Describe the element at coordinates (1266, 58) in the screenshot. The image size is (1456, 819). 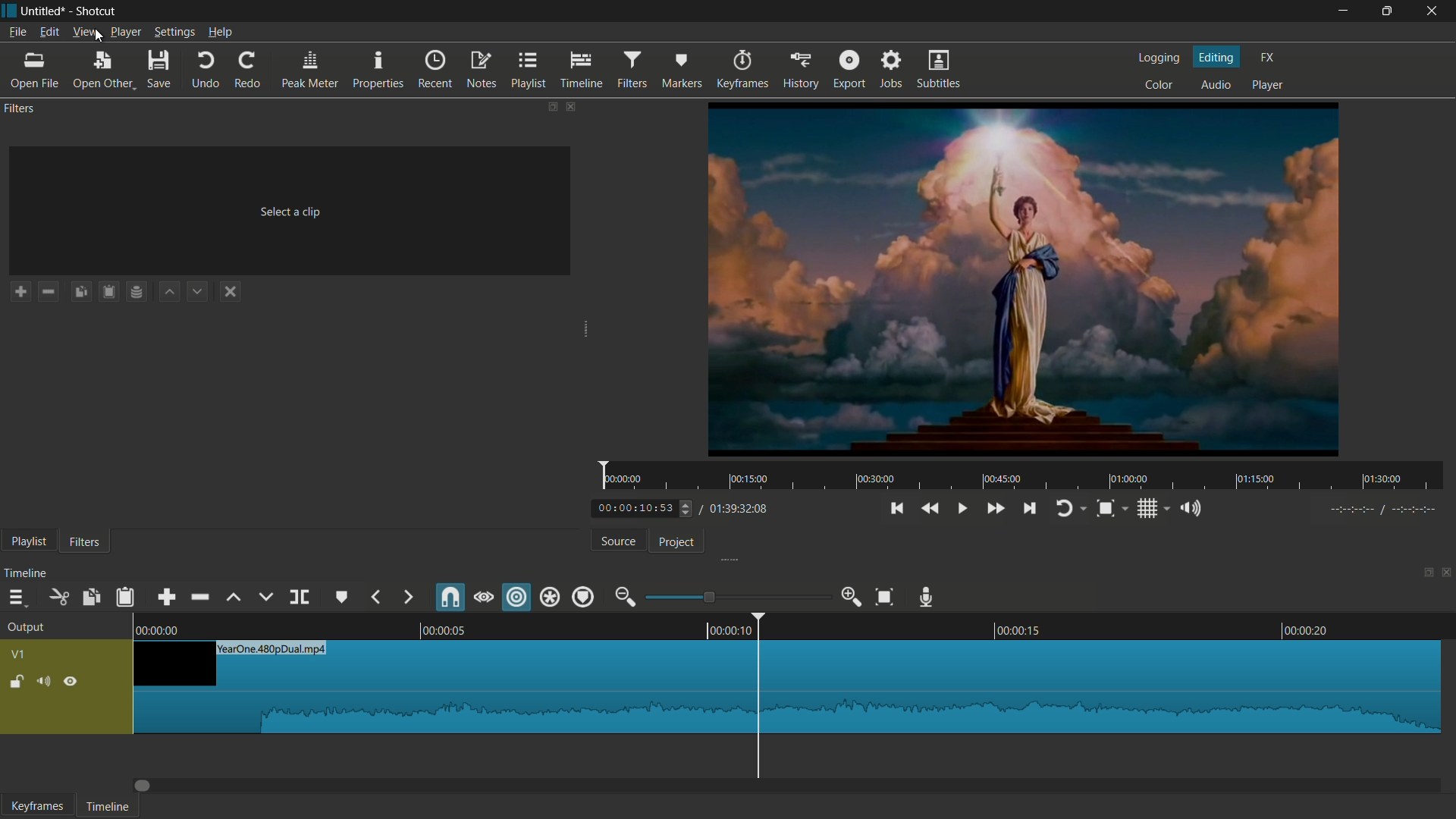
I see `fx` at that location.